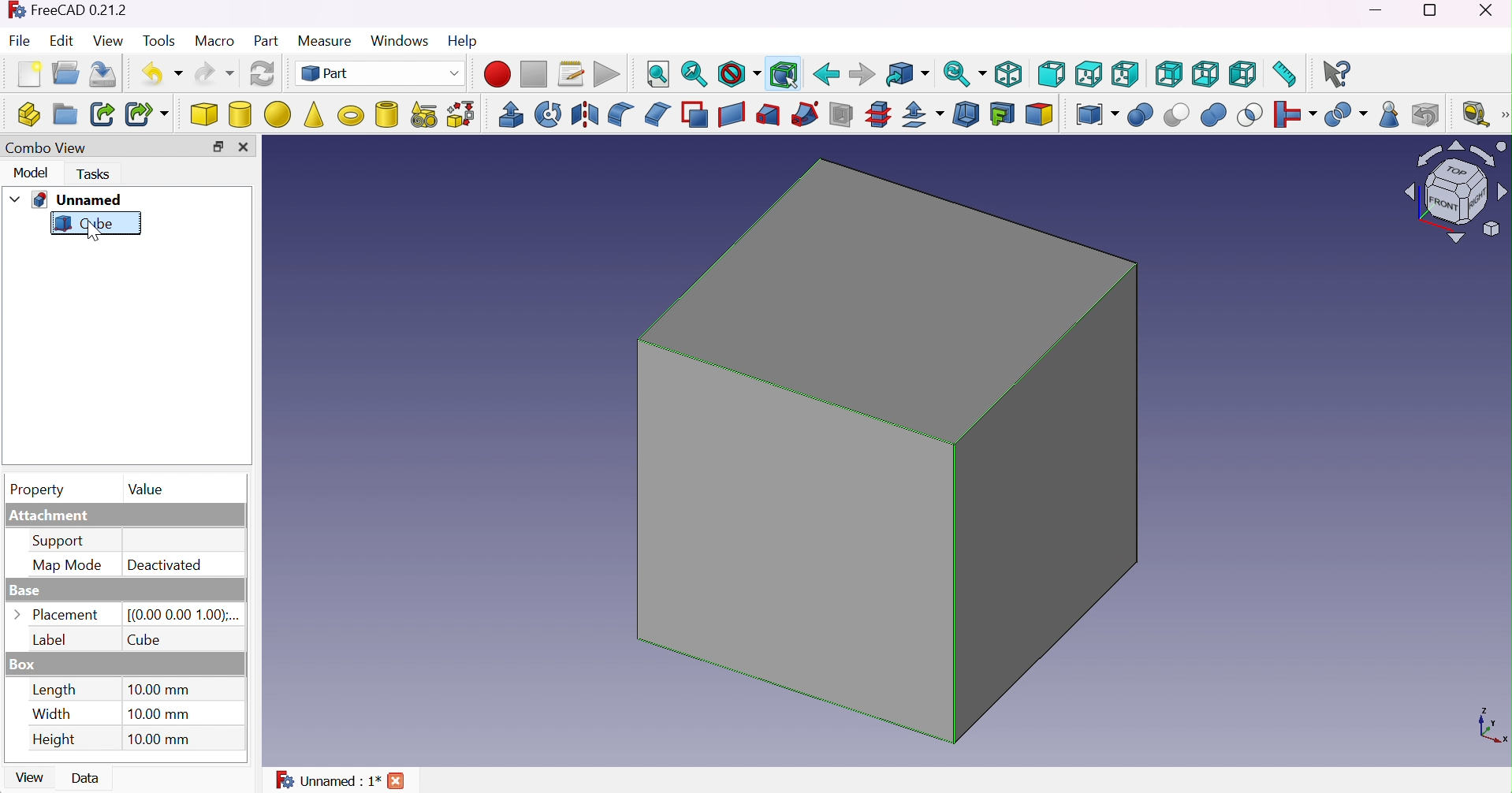  Describe the element at coordinates (1052, 73) in the screenshot. I see `Front` at that location.